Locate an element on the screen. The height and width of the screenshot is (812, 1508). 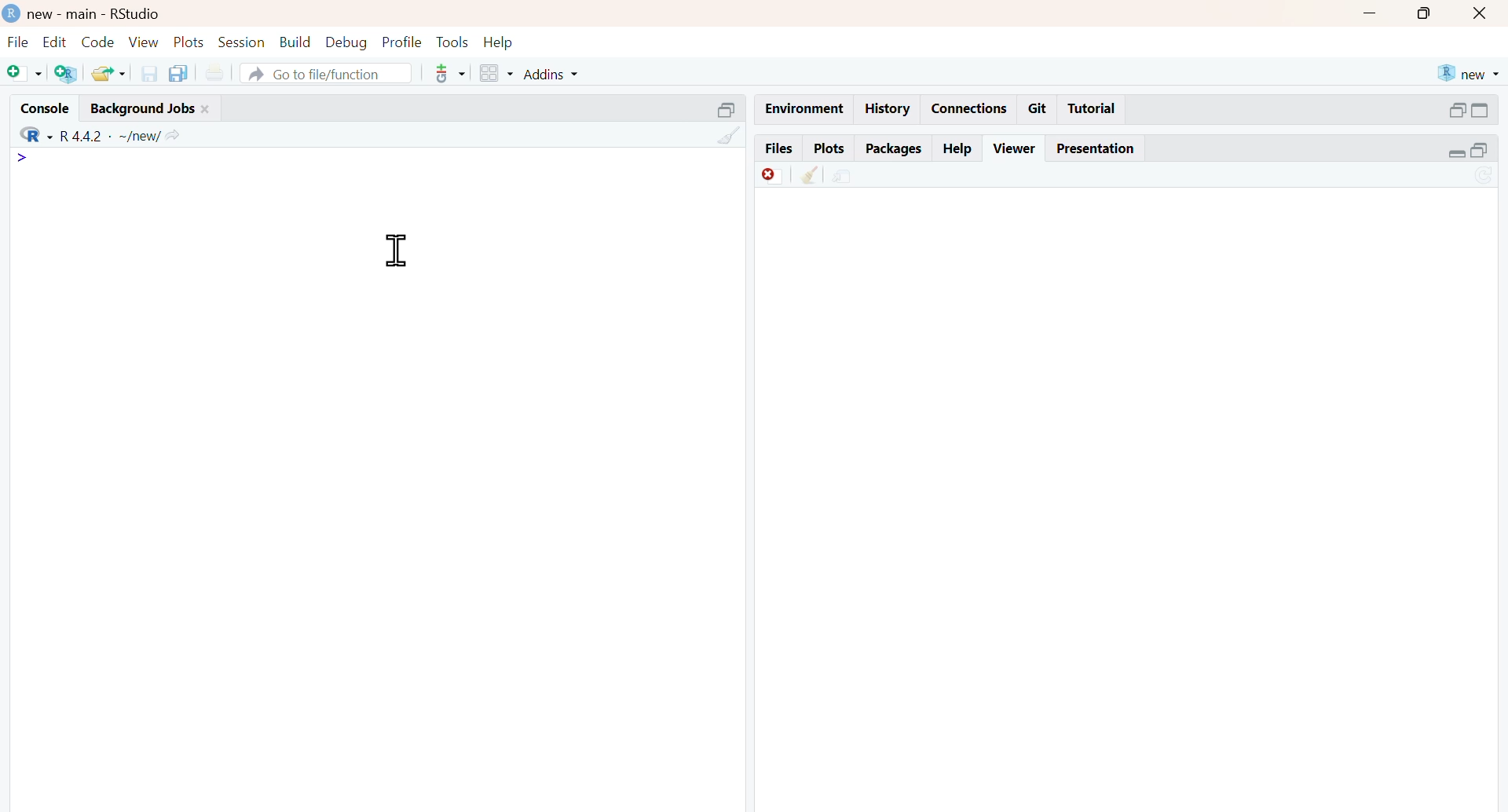
 is located at coordinates (1481, 13).